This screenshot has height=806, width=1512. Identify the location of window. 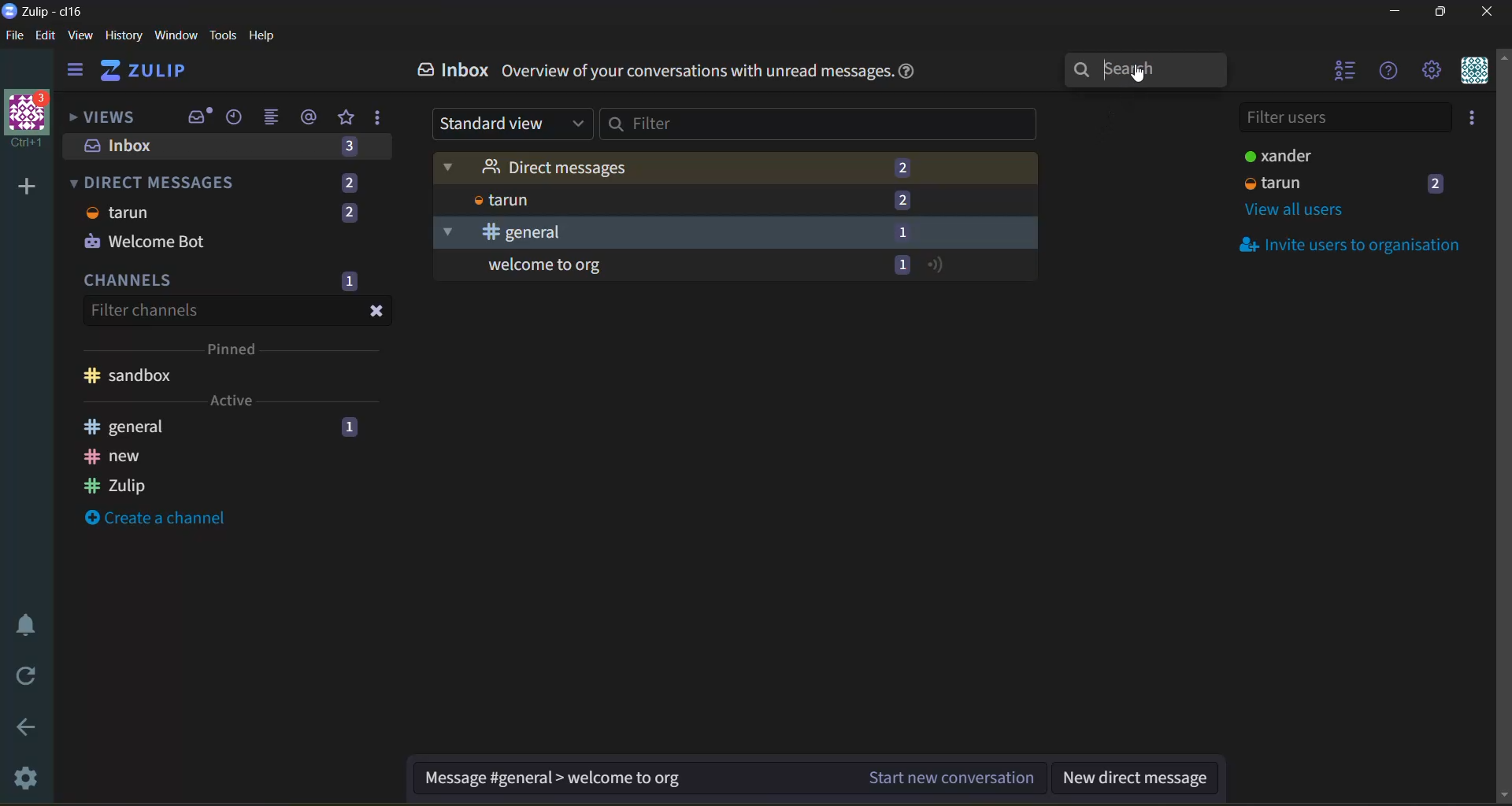
(176, 35).